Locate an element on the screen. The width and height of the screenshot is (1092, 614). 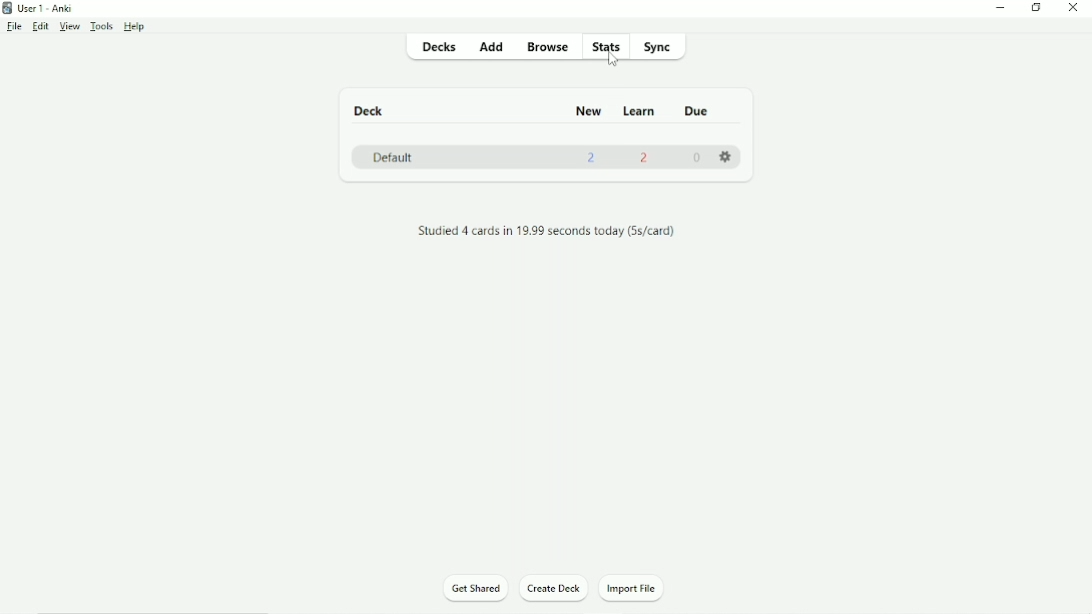
2 is located at coordinates (646, 157).